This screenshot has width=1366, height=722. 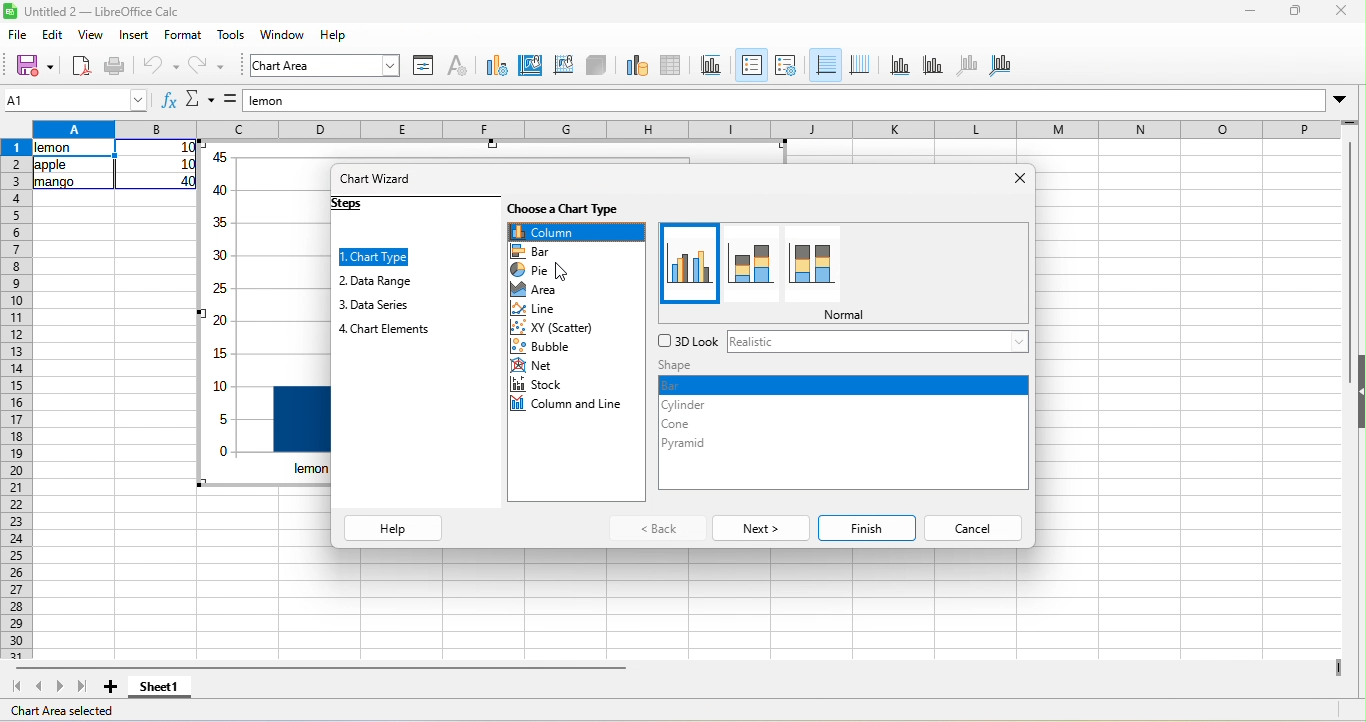 What do you see at coordinates (325, 66) in the screenshot?
I see `chart area` at bounding box center [325, 66].